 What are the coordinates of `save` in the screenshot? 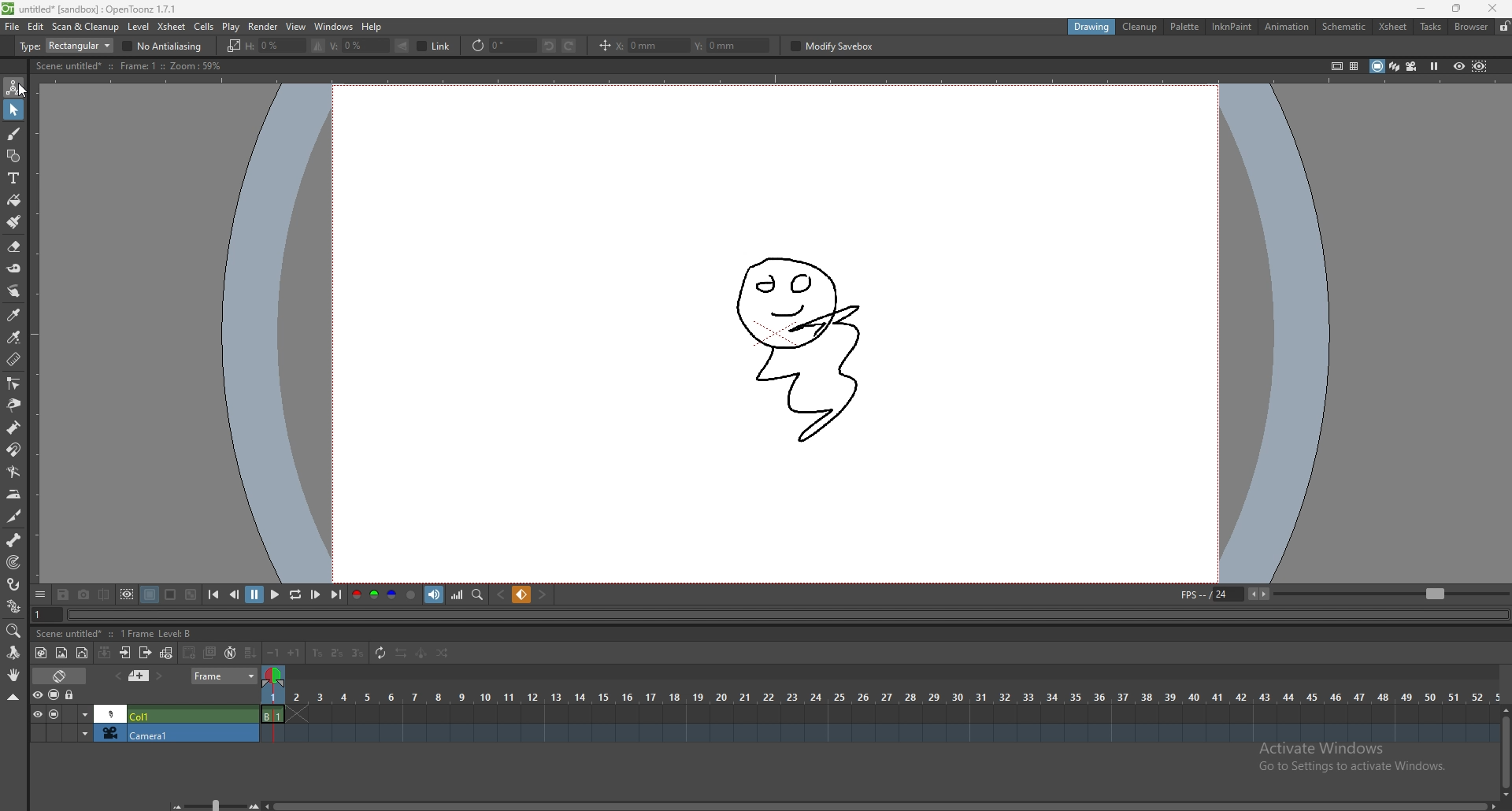 It's located at (65, 594).